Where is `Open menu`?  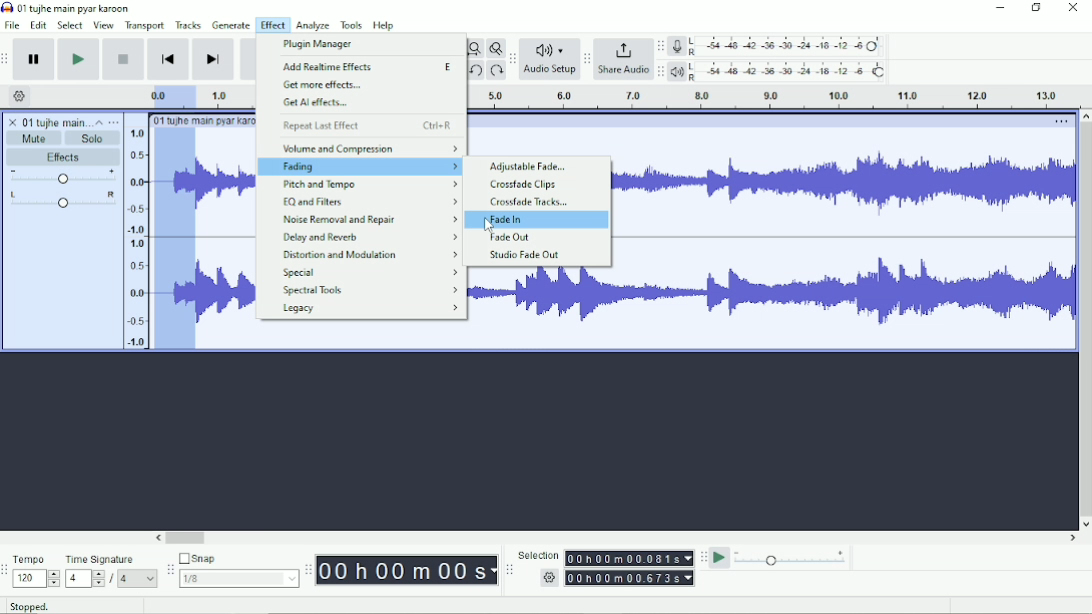 Open menu is located at coordinates (114, 122).